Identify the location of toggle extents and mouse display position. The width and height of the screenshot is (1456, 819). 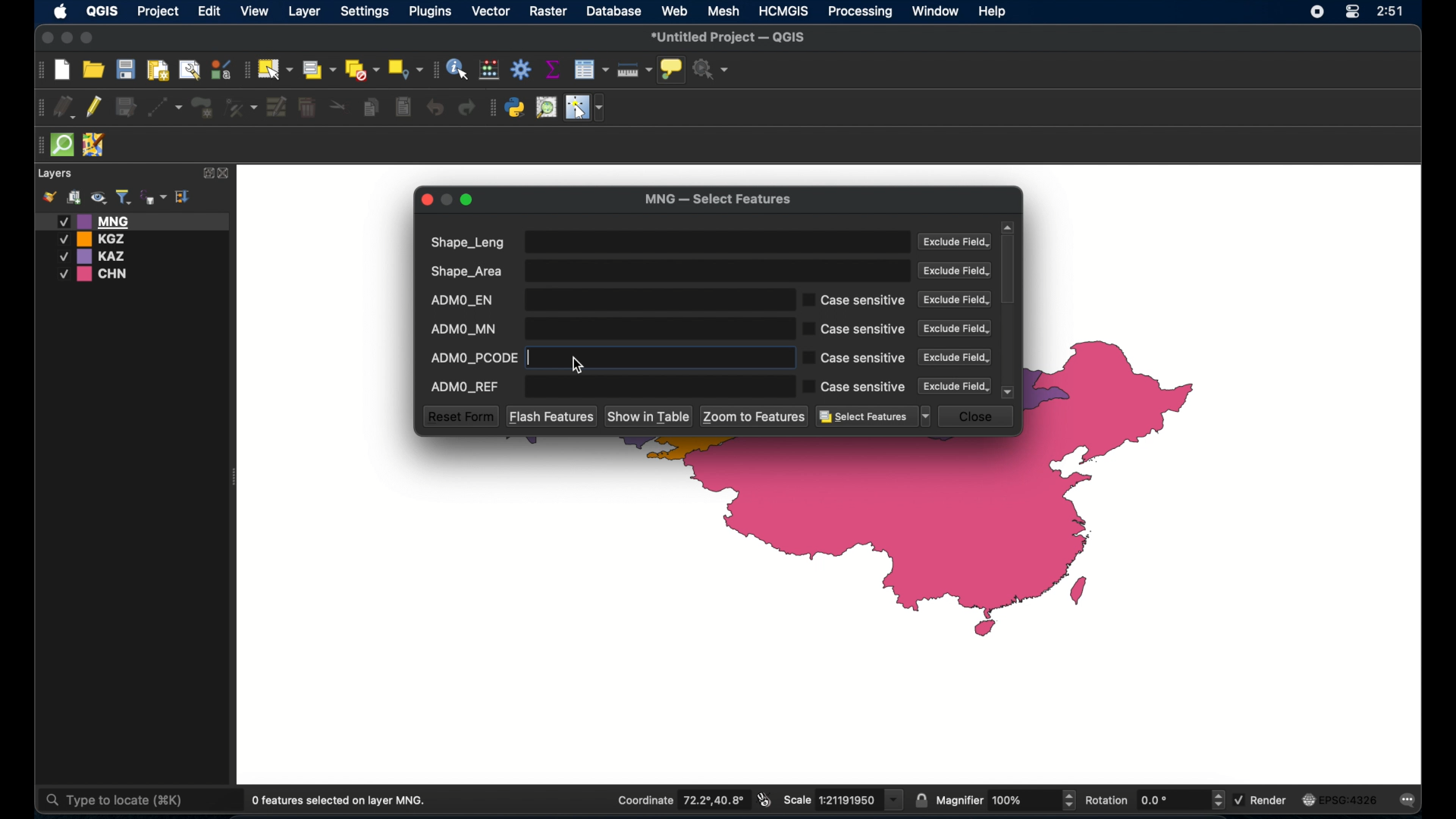
(766, 800).